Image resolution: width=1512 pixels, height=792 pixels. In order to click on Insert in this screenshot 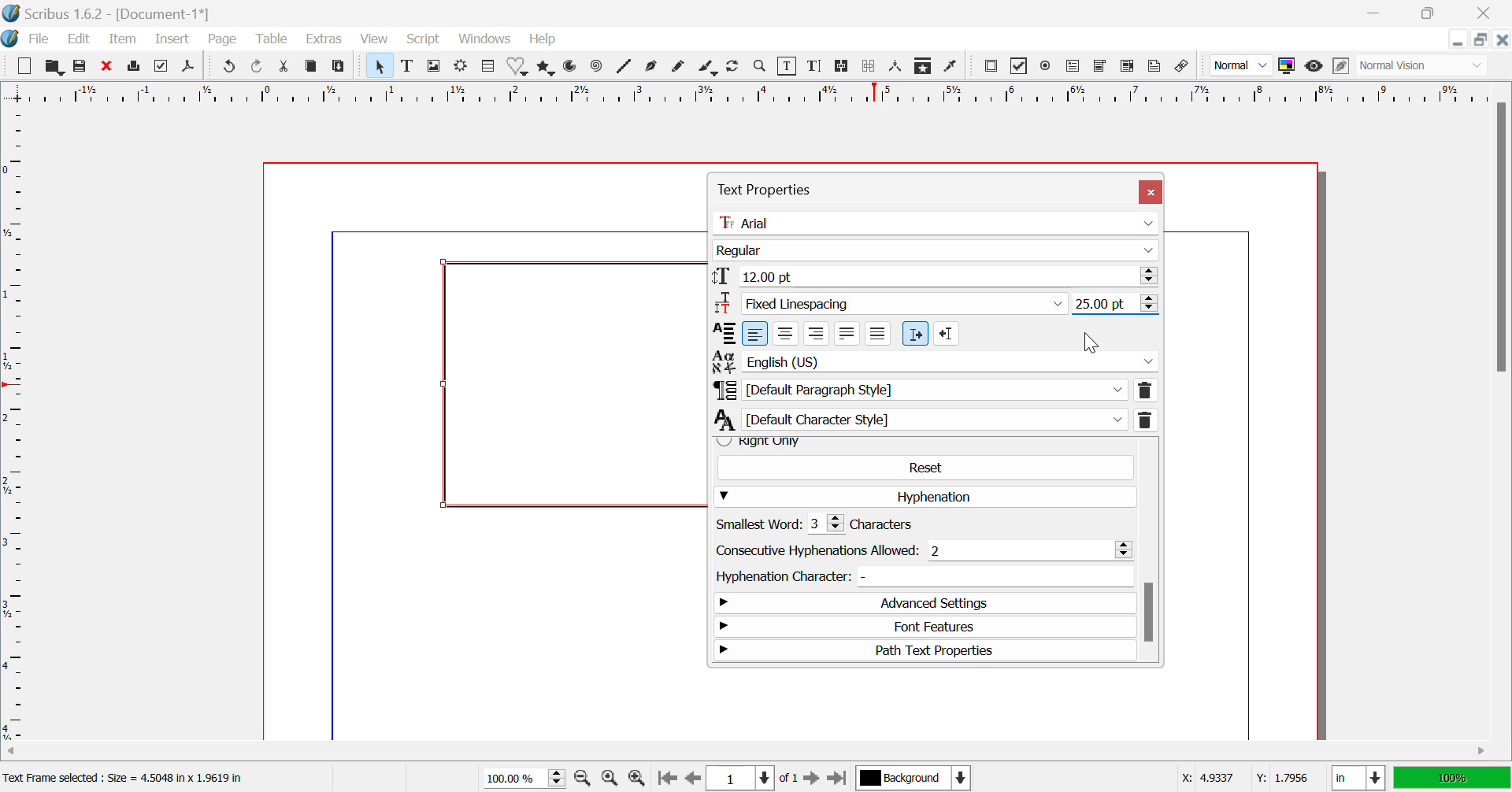, I will do `click(174, 39)`.